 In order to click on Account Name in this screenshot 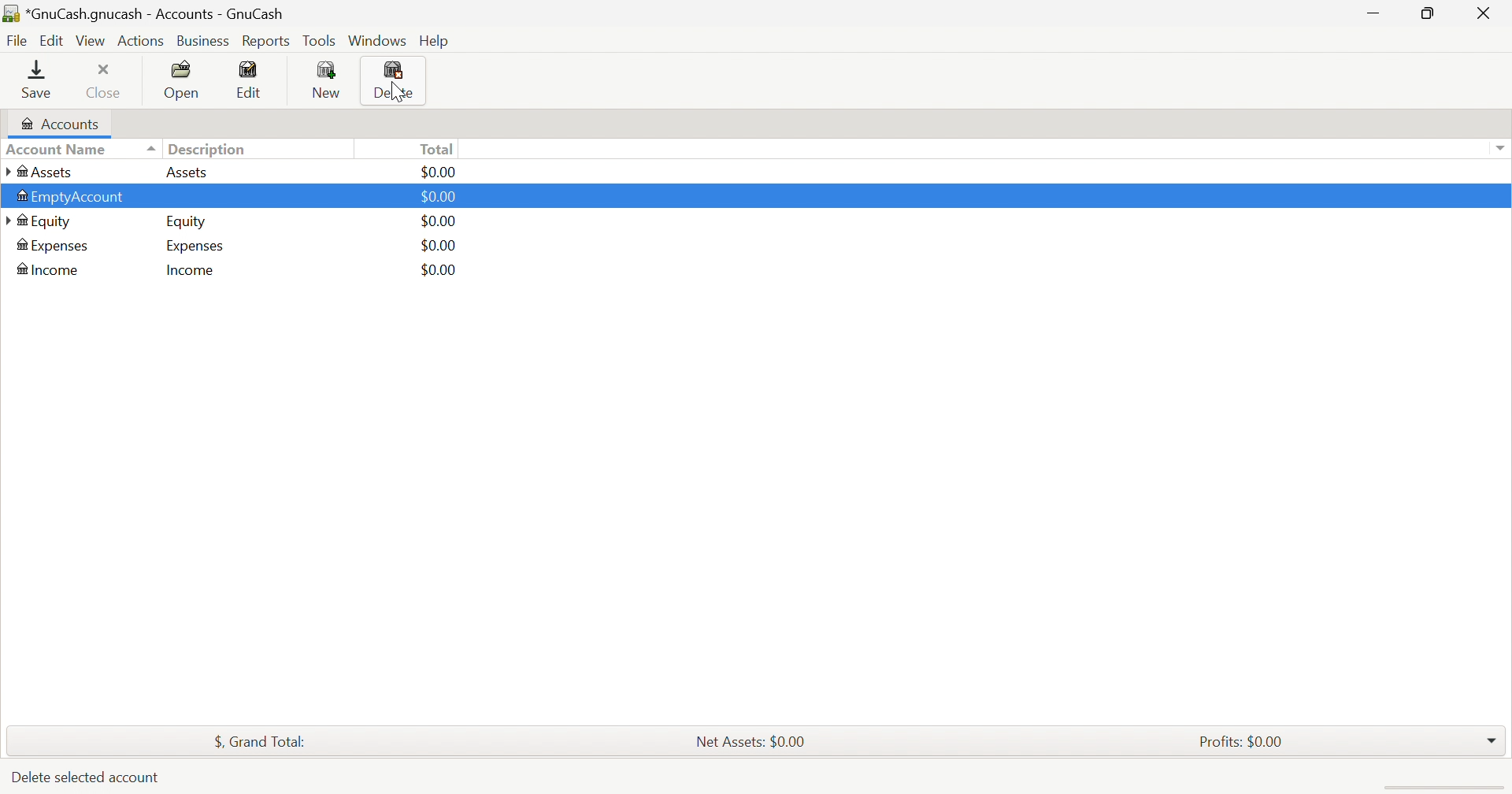, I will do `click(81, 150)`.